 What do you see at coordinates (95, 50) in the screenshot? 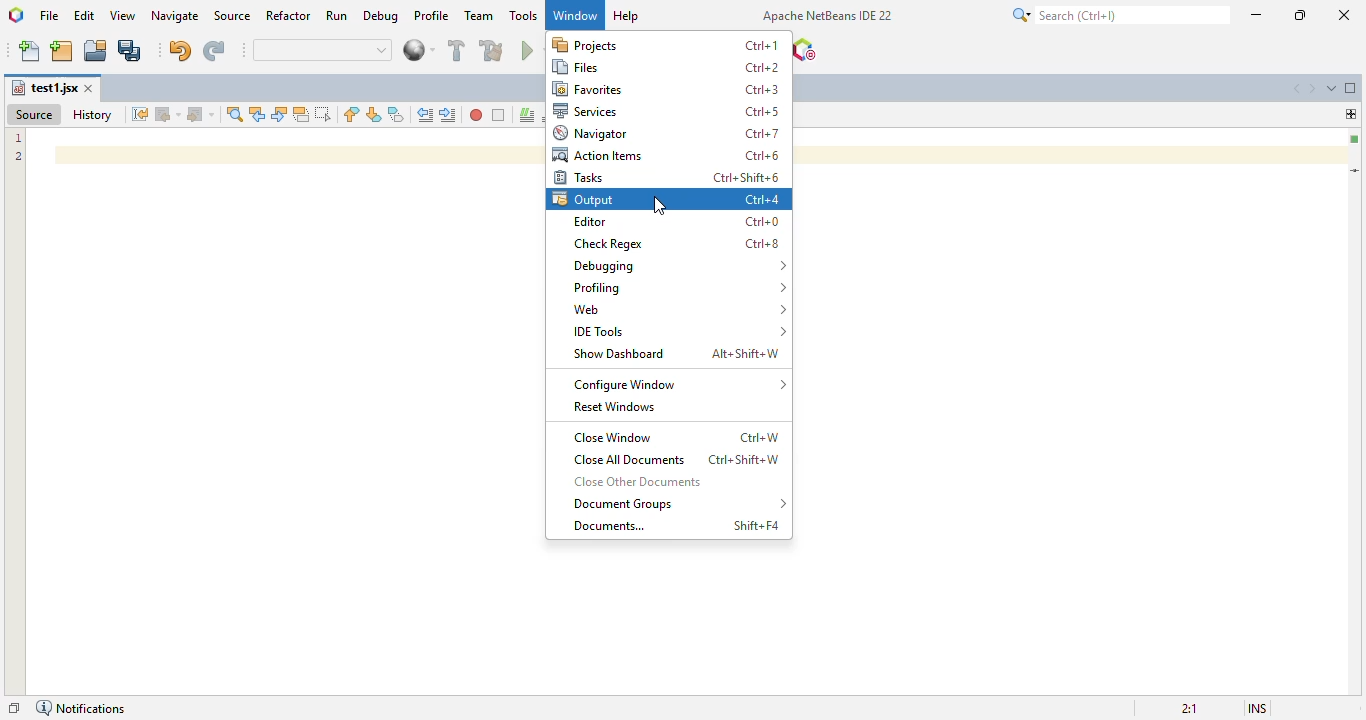
I see `open project` at bounding box center [95, 50].